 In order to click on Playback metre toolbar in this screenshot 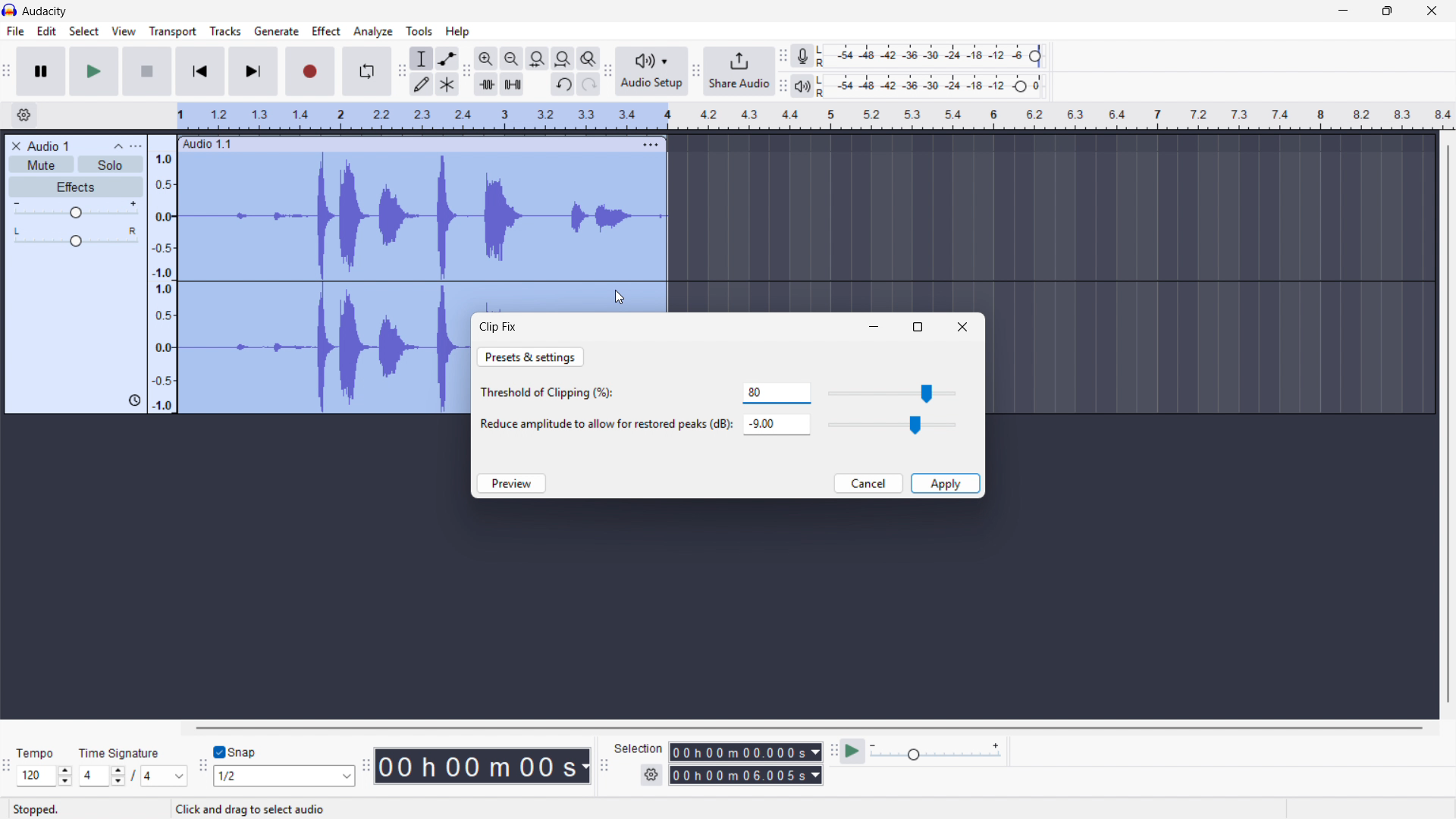, I will do `click(783, 86)`.